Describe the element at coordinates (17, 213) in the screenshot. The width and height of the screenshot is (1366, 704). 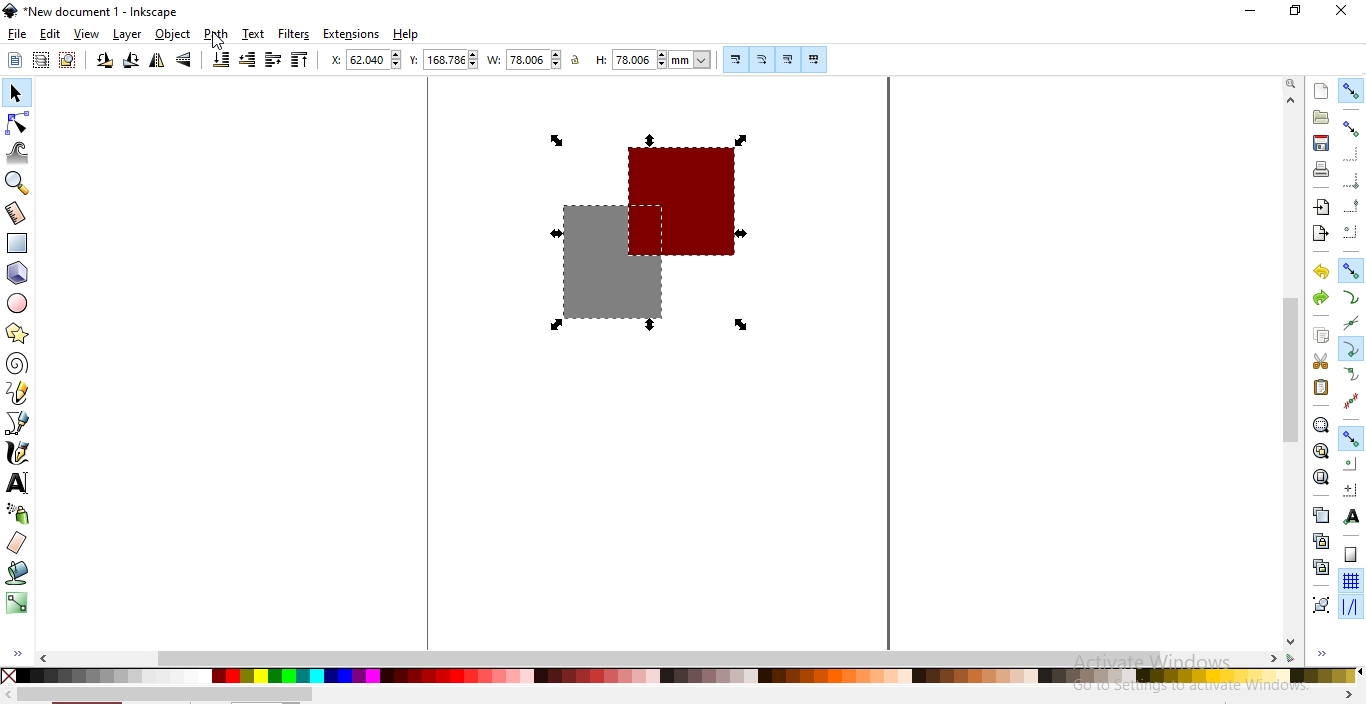
I see `measurement tool` at that location.